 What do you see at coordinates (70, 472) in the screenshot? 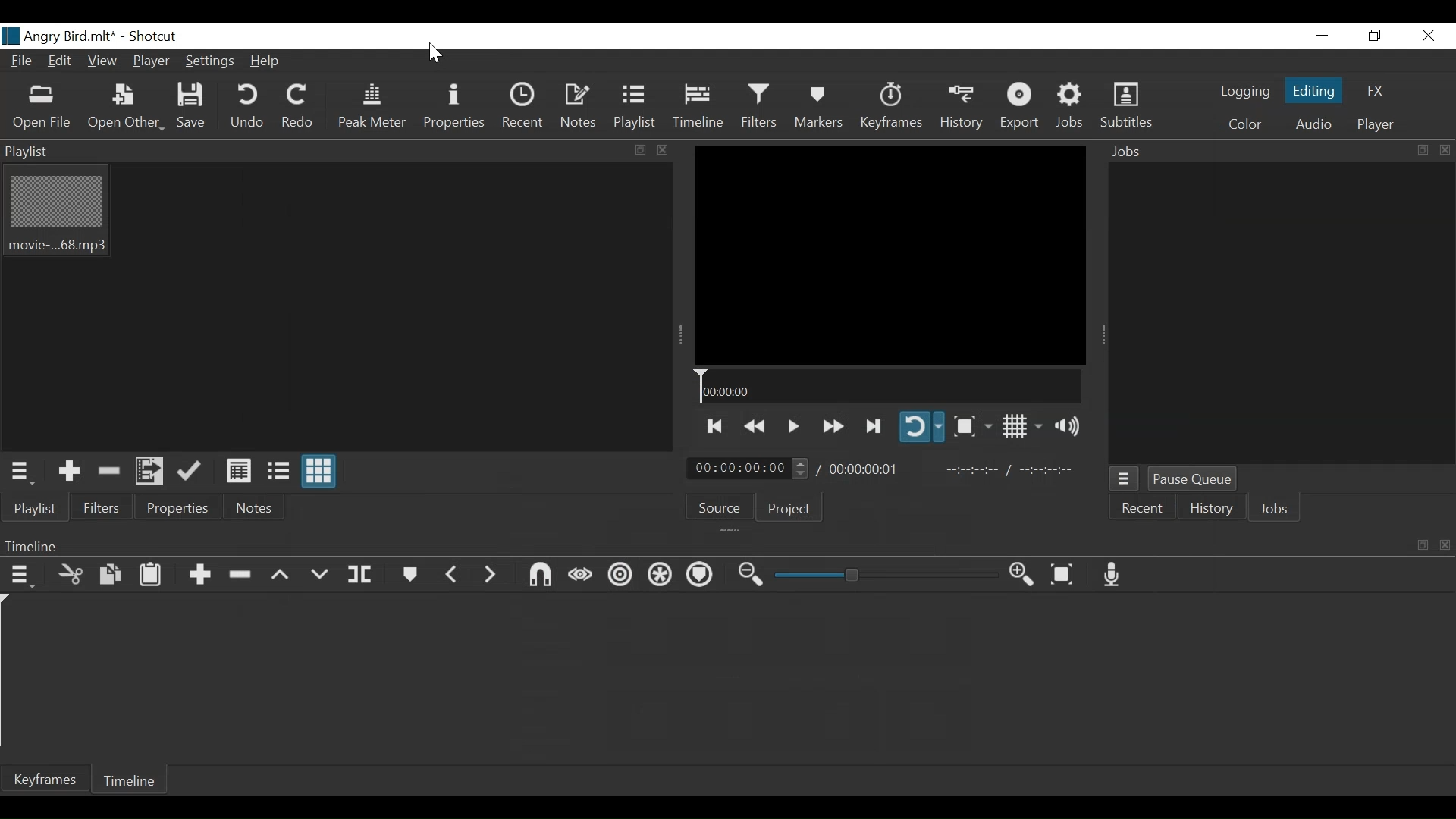
I see `Add the Source to the playlist` at bounding box center [70, 472].